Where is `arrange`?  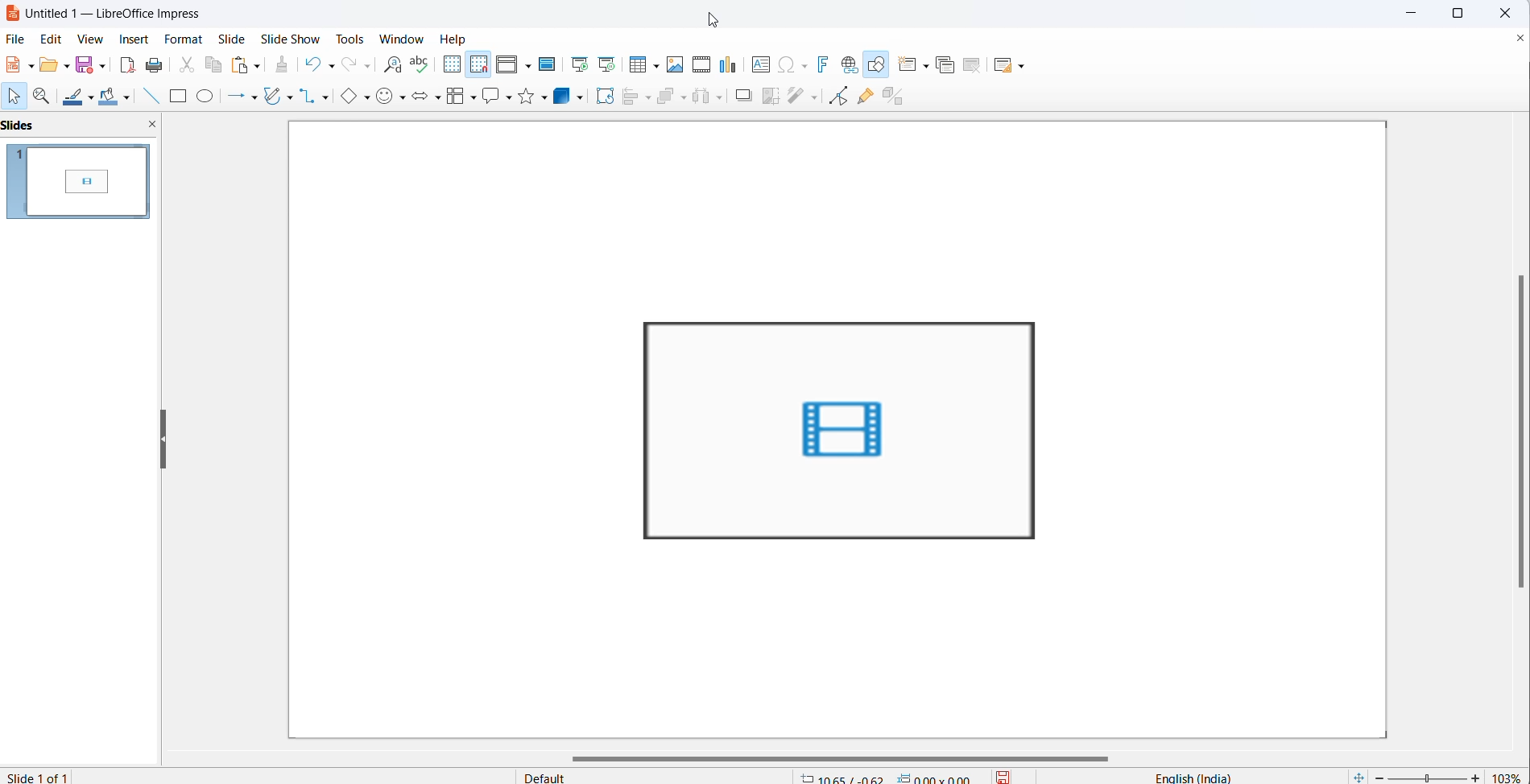 arrange is located at coordinates (666, 97).